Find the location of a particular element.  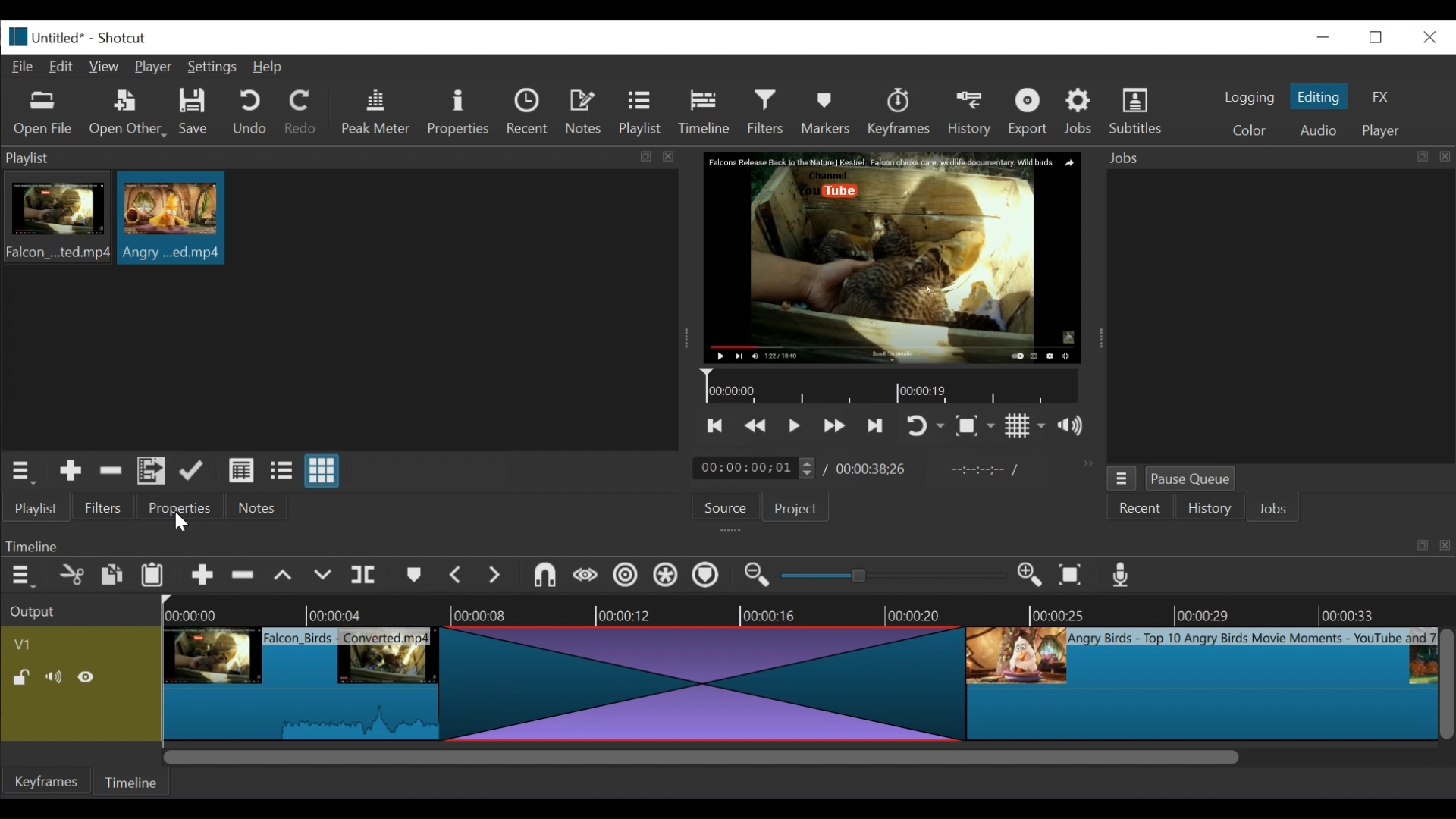

clip is located at coordinates (305, 679).